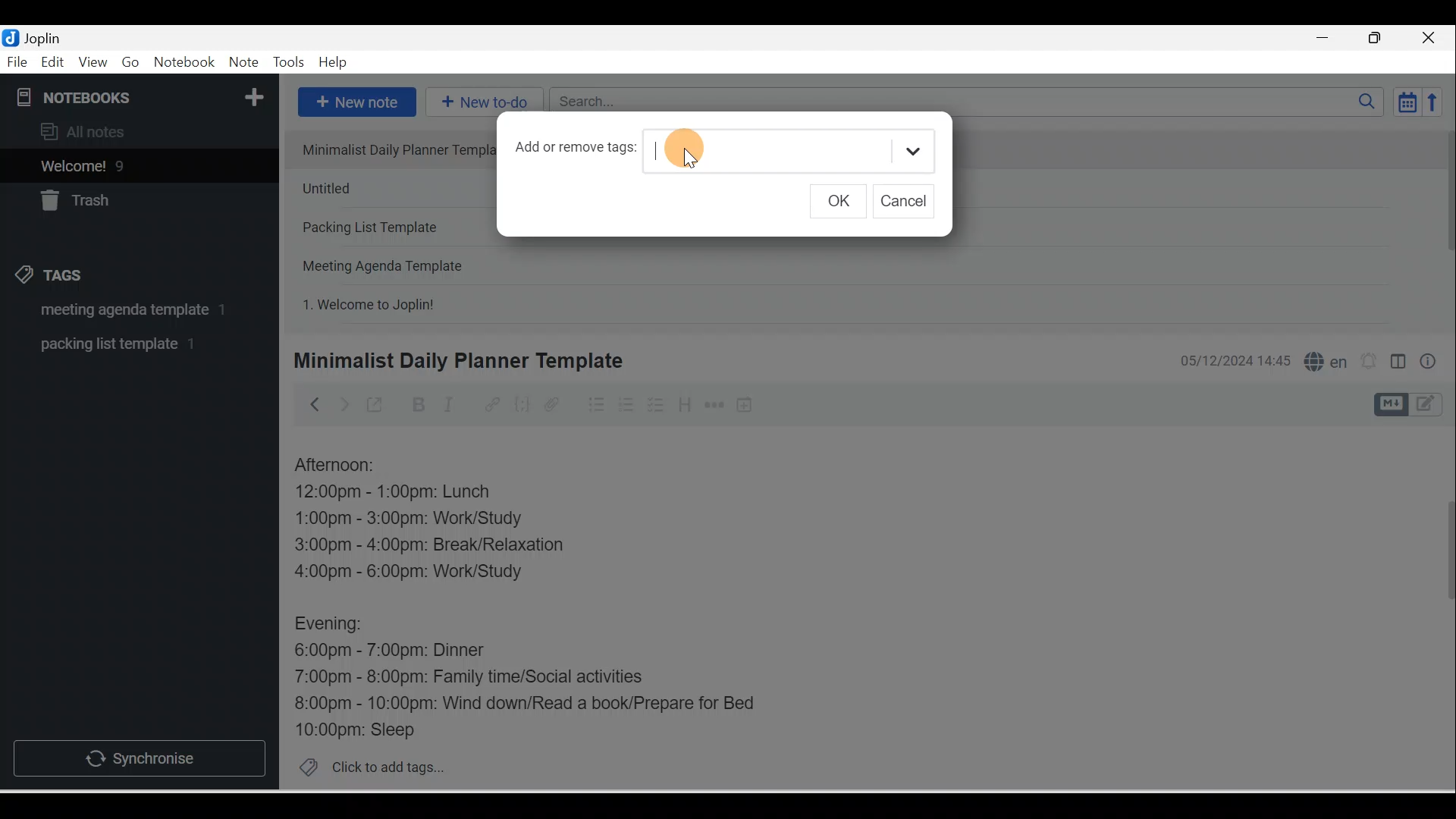 The image size is (1456, 819). Describe the element at coordinates (1432, 38) in the screenshot. I see `Close` at that location.